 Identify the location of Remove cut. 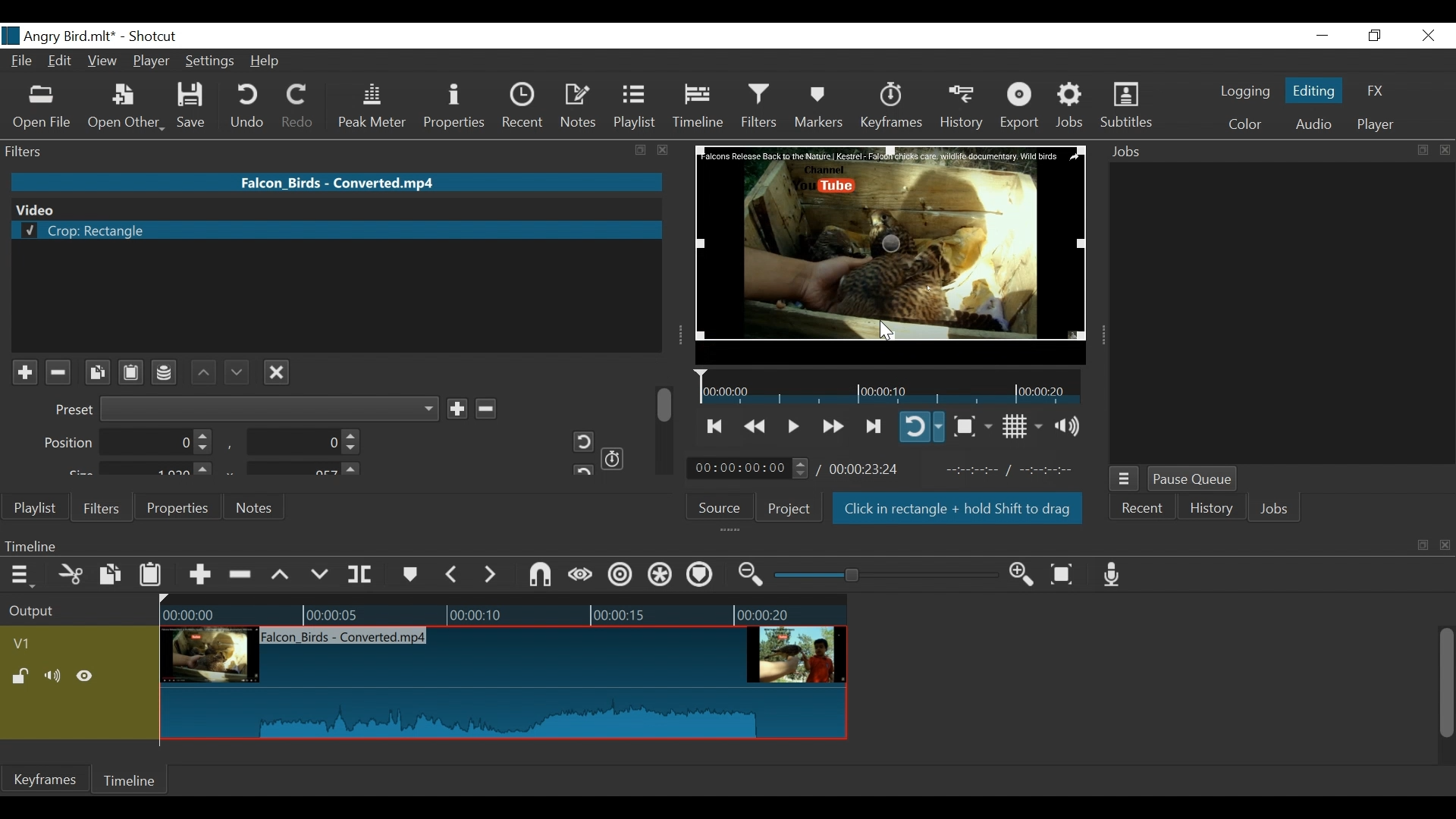
(242, 576).